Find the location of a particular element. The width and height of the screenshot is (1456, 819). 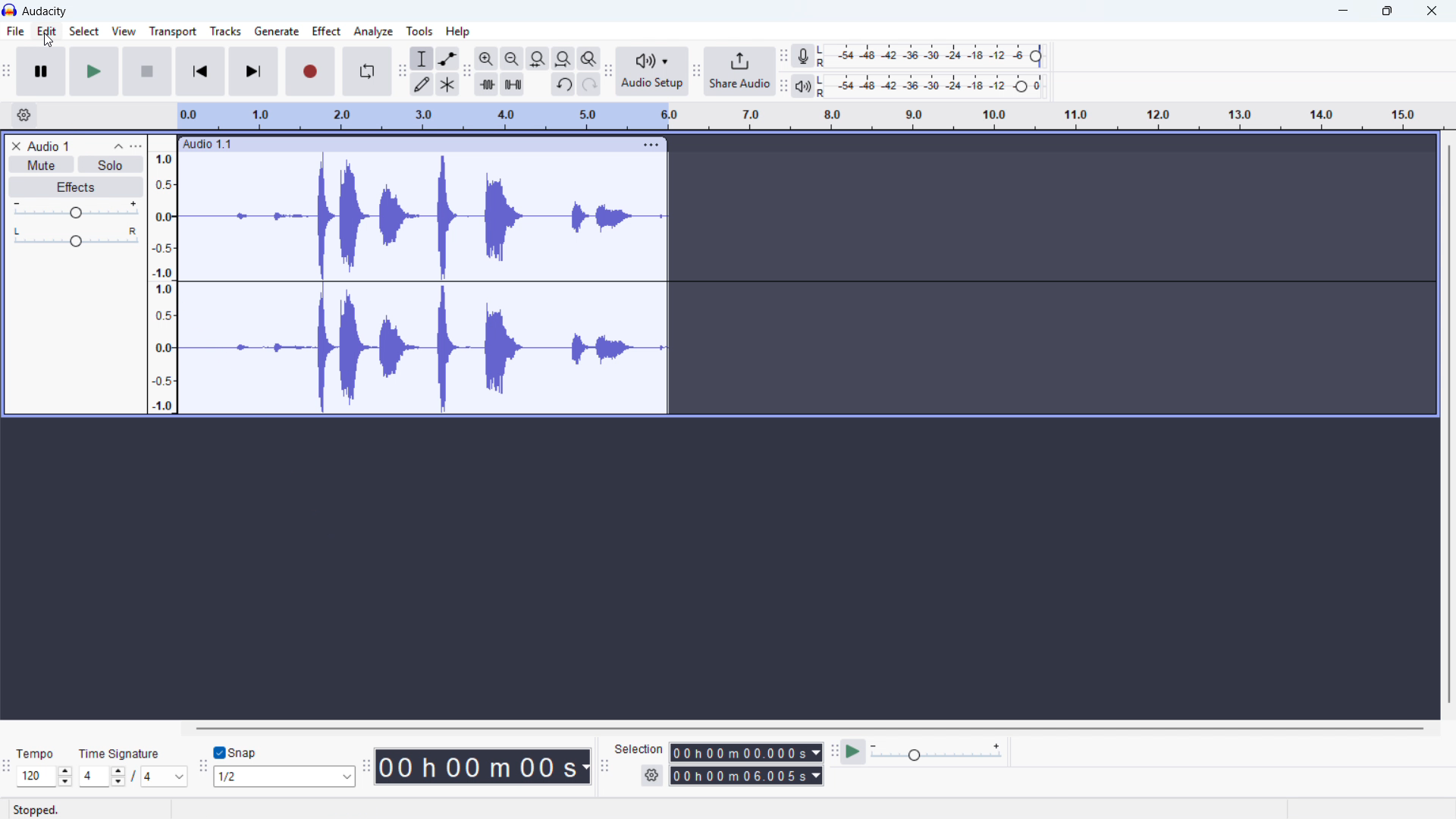

toggle zoom is located at coordinates (588, 58).